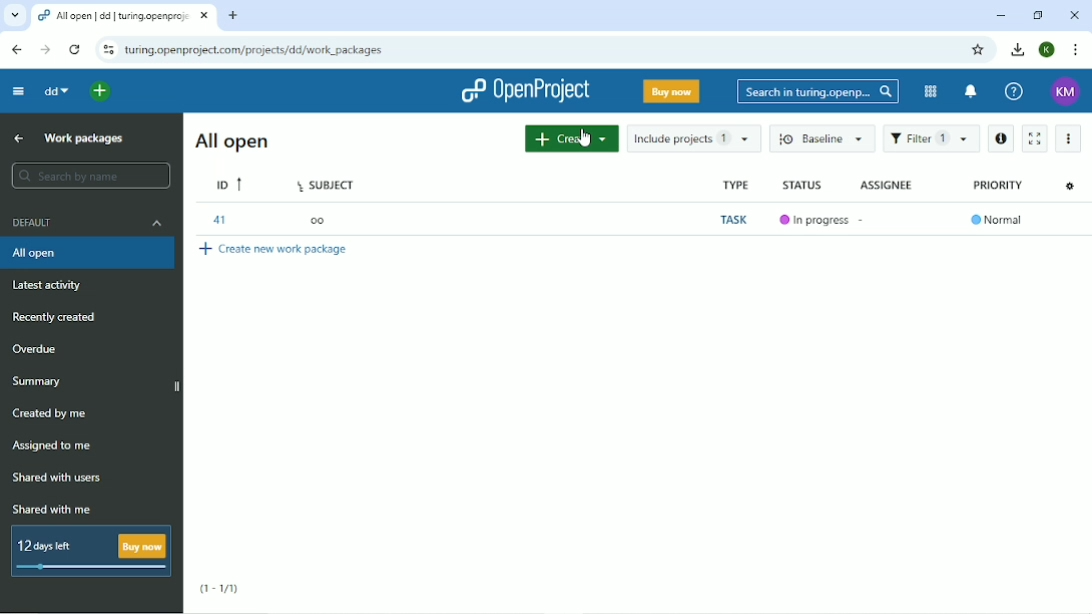 The height and width of the screenshot is (614, 1092). I want to click on Reload this page, so click(76, 49).